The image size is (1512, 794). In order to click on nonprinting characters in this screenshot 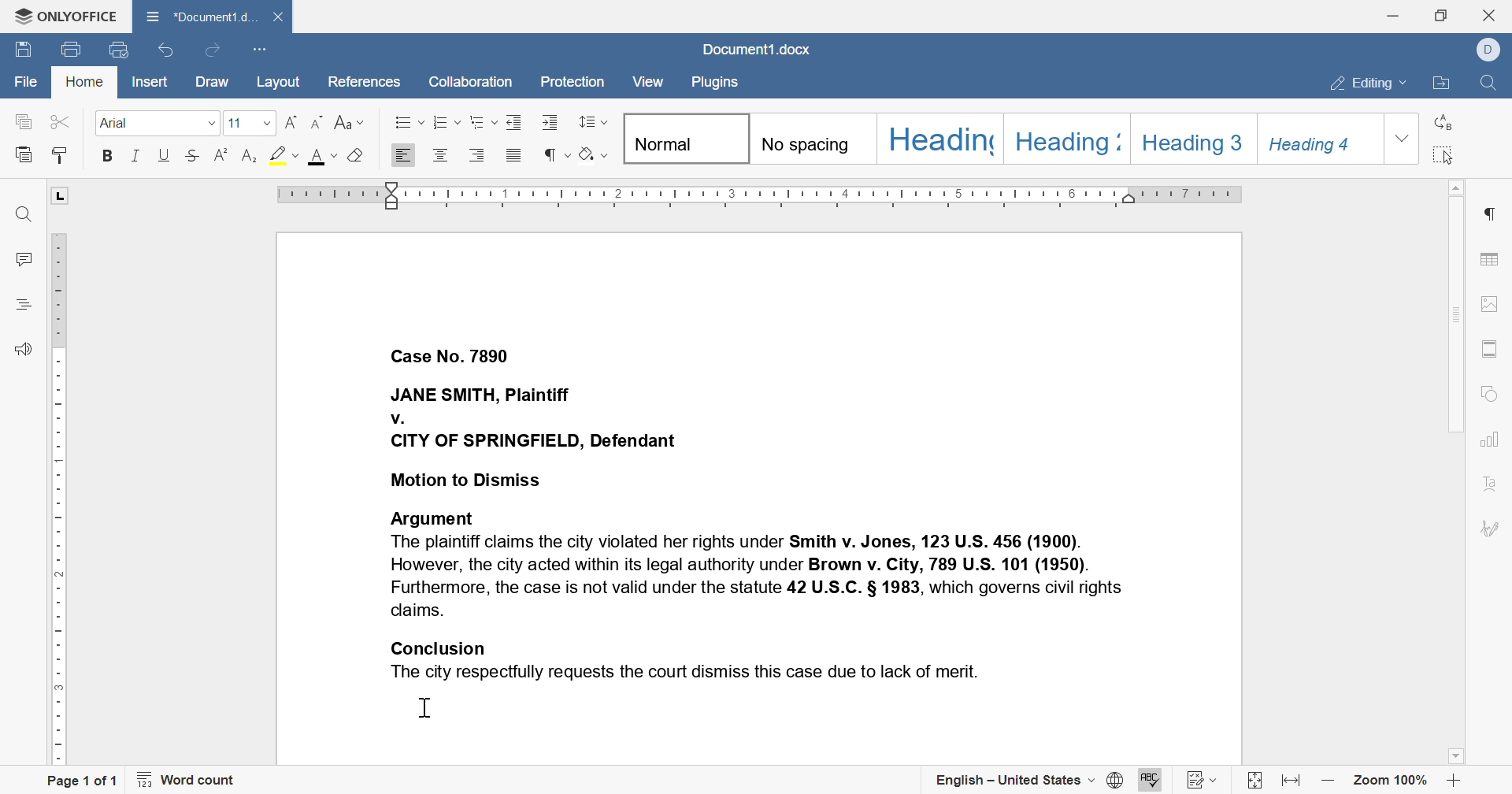, I will do `click(557, 153)`.